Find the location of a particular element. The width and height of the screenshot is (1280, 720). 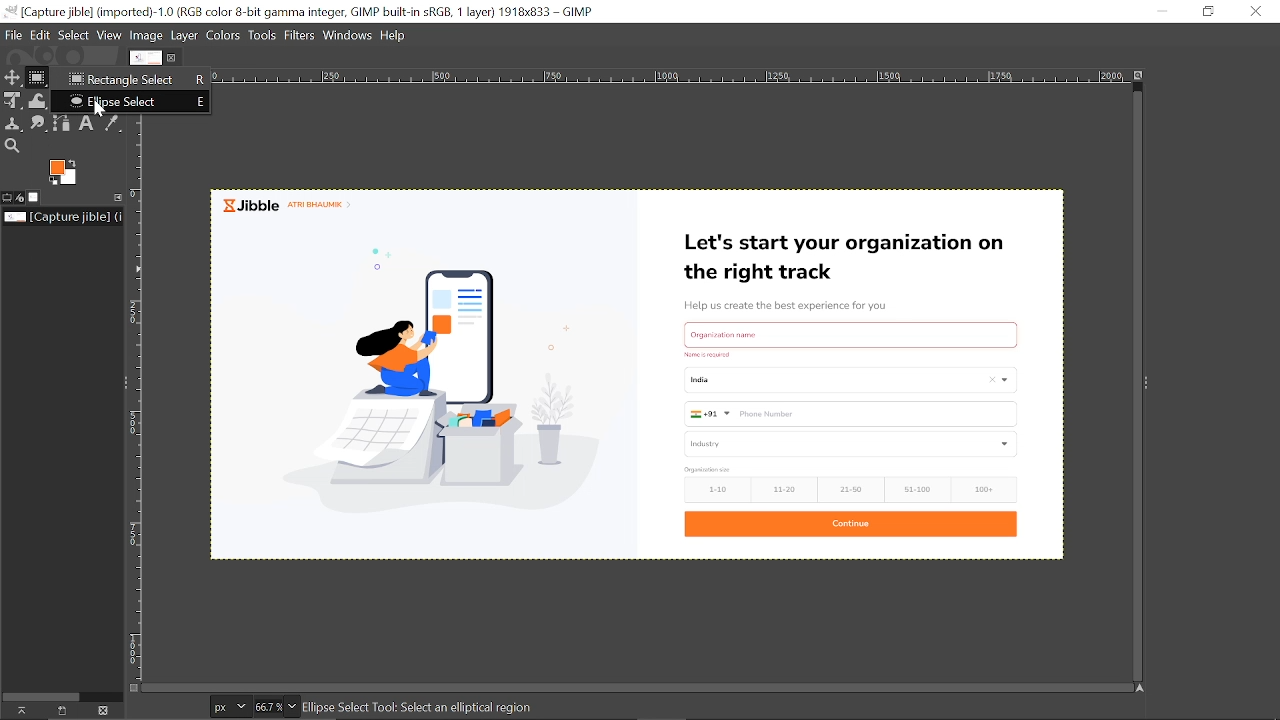

Current window is located at coordinates (305, 13).